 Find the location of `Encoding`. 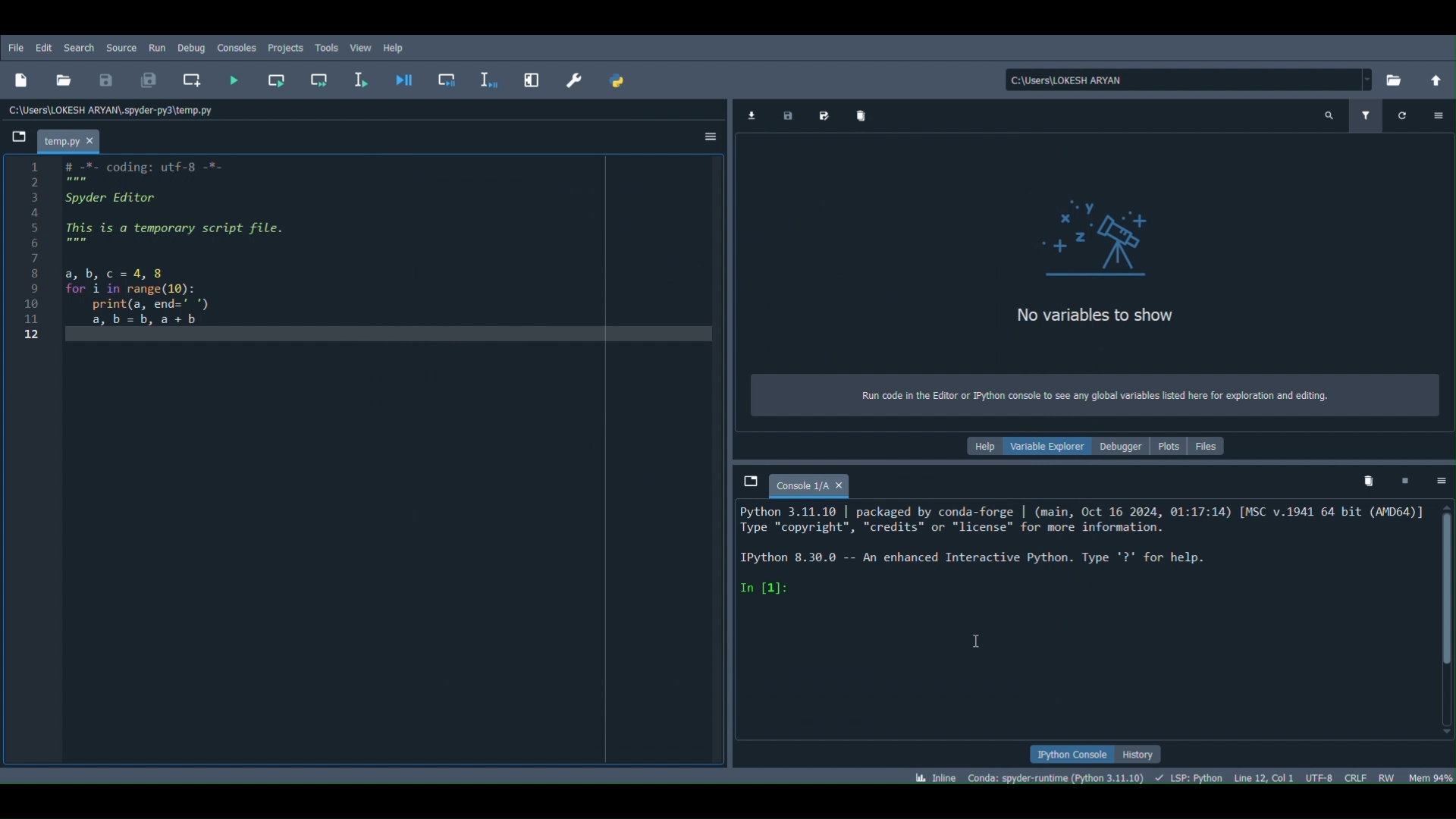

Encoding is located at coordinates (1323, 777).